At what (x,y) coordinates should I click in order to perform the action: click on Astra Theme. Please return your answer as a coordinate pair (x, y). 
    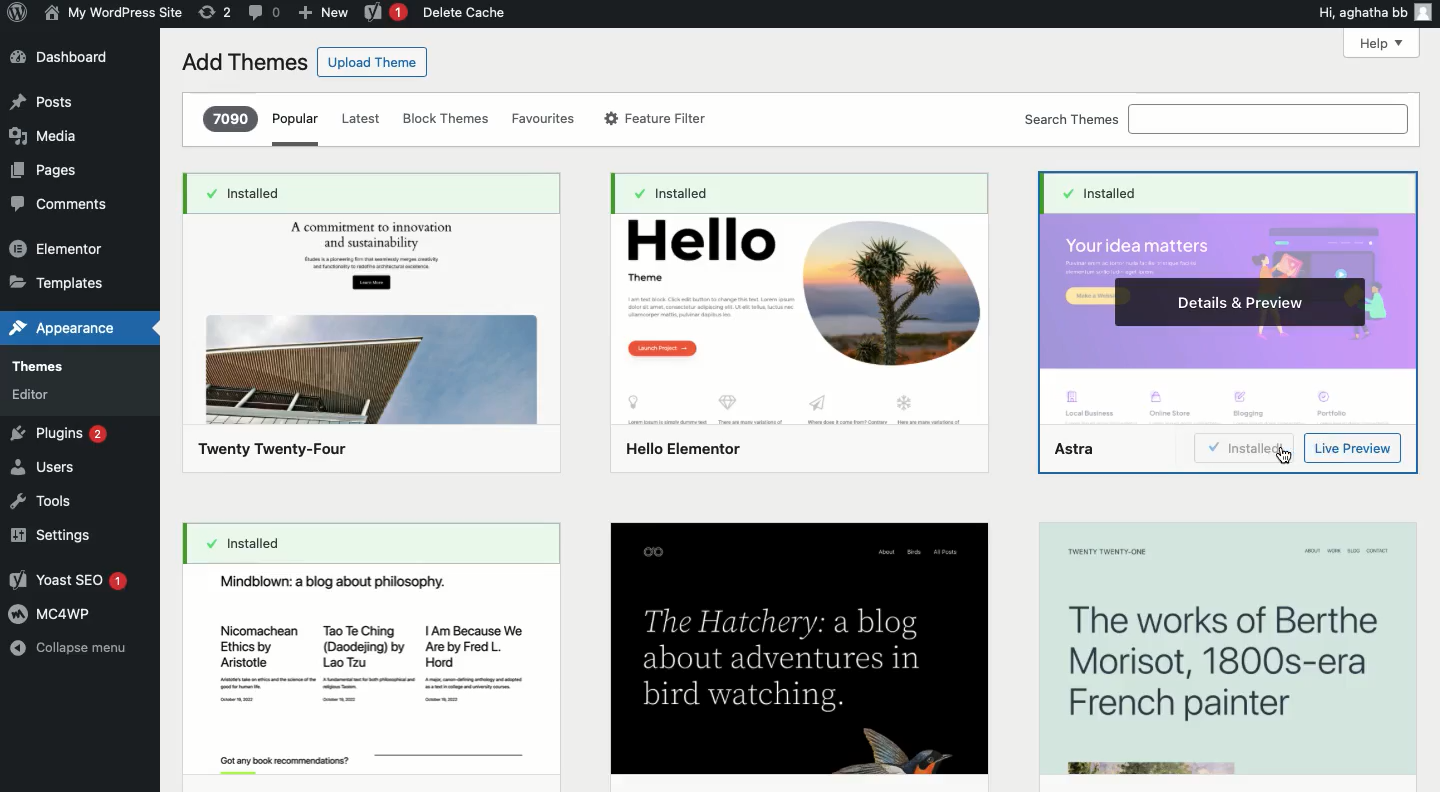
    Looking at the image, I should click on (1229, 315).